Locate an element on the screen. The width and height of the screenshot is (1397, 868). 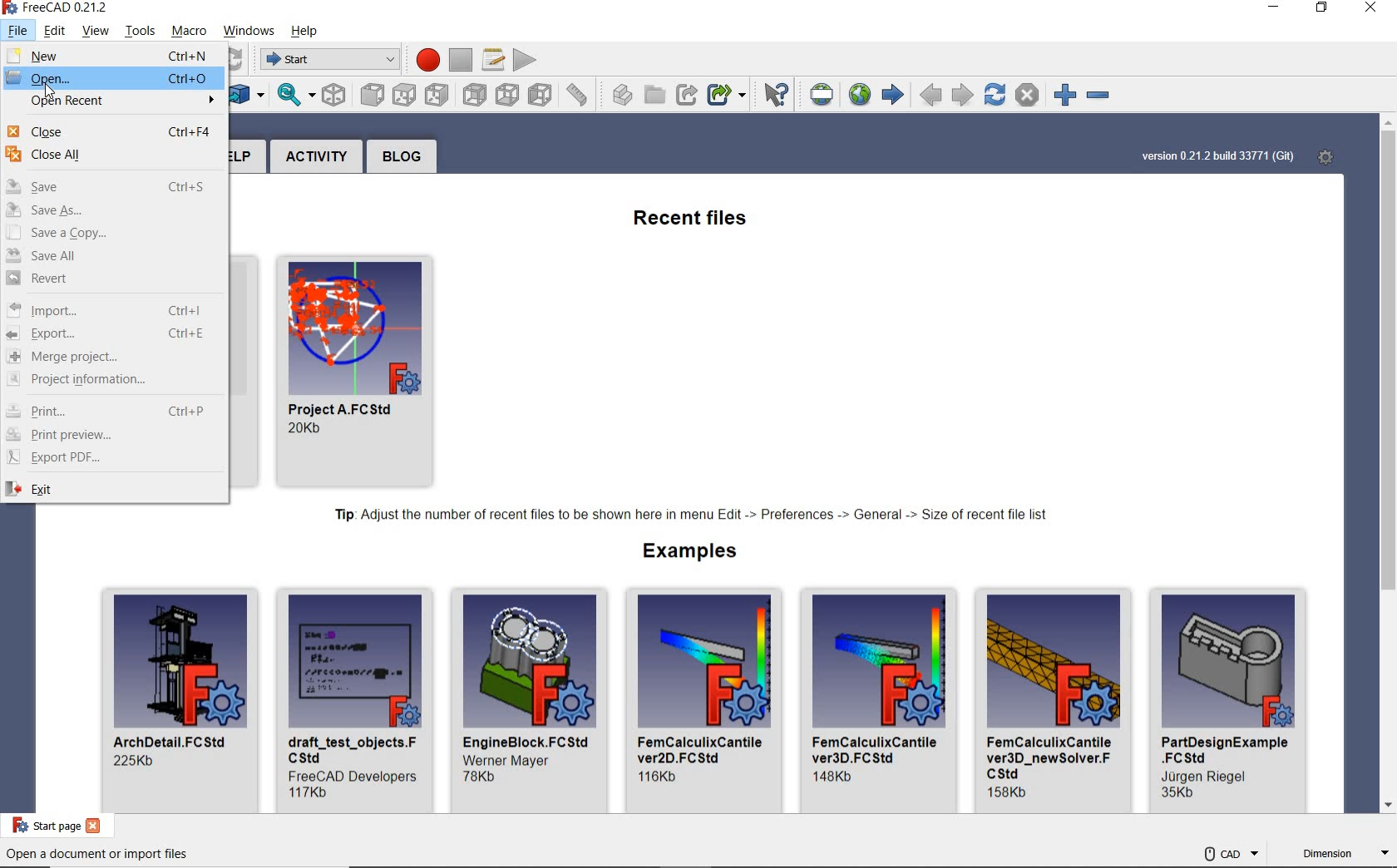
WHAT'S THIS? is located at coordinates (777, 96).